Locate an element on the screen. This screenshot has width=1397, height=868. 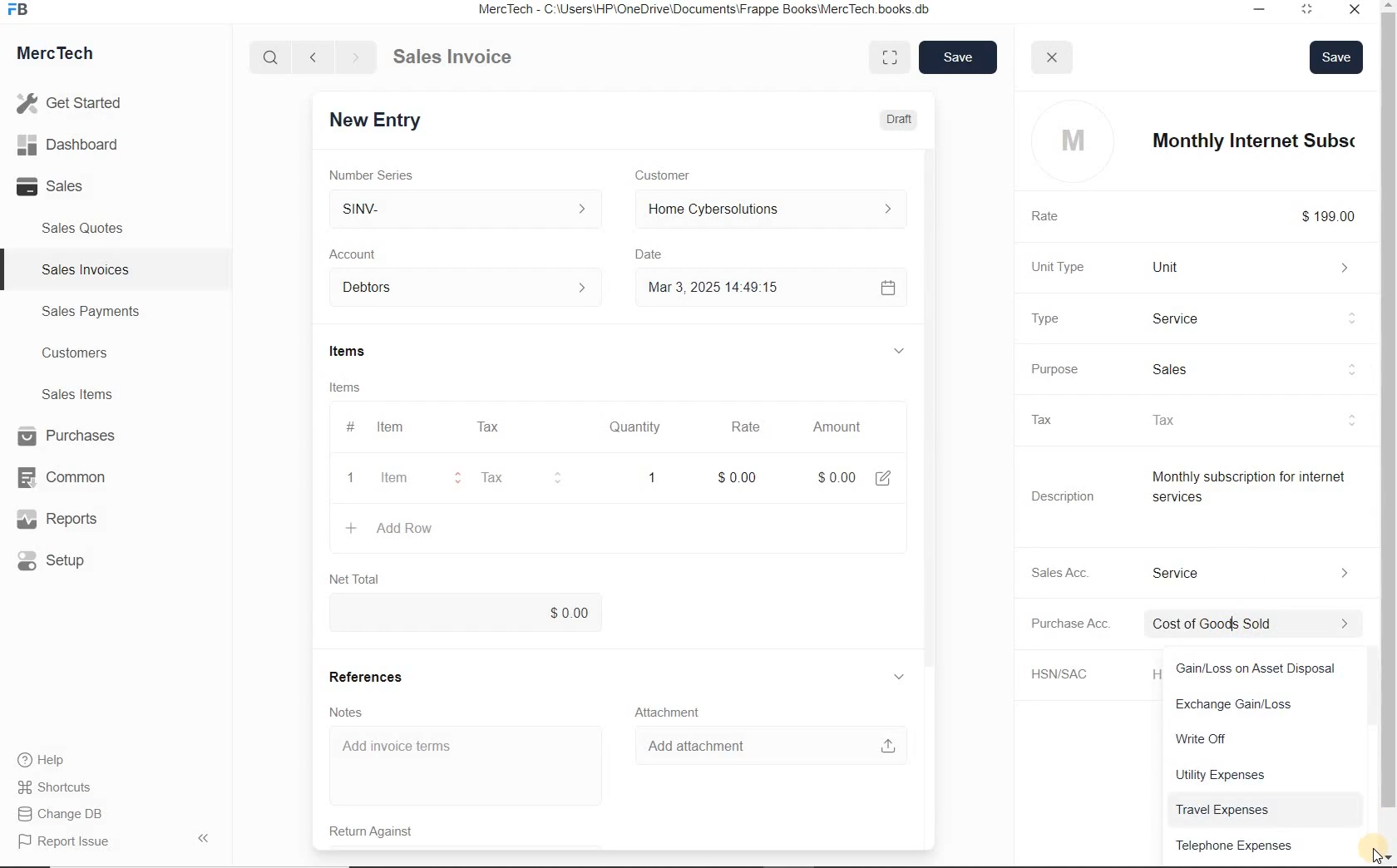
Amount: $0.00 is located at coordinates (841, 476).